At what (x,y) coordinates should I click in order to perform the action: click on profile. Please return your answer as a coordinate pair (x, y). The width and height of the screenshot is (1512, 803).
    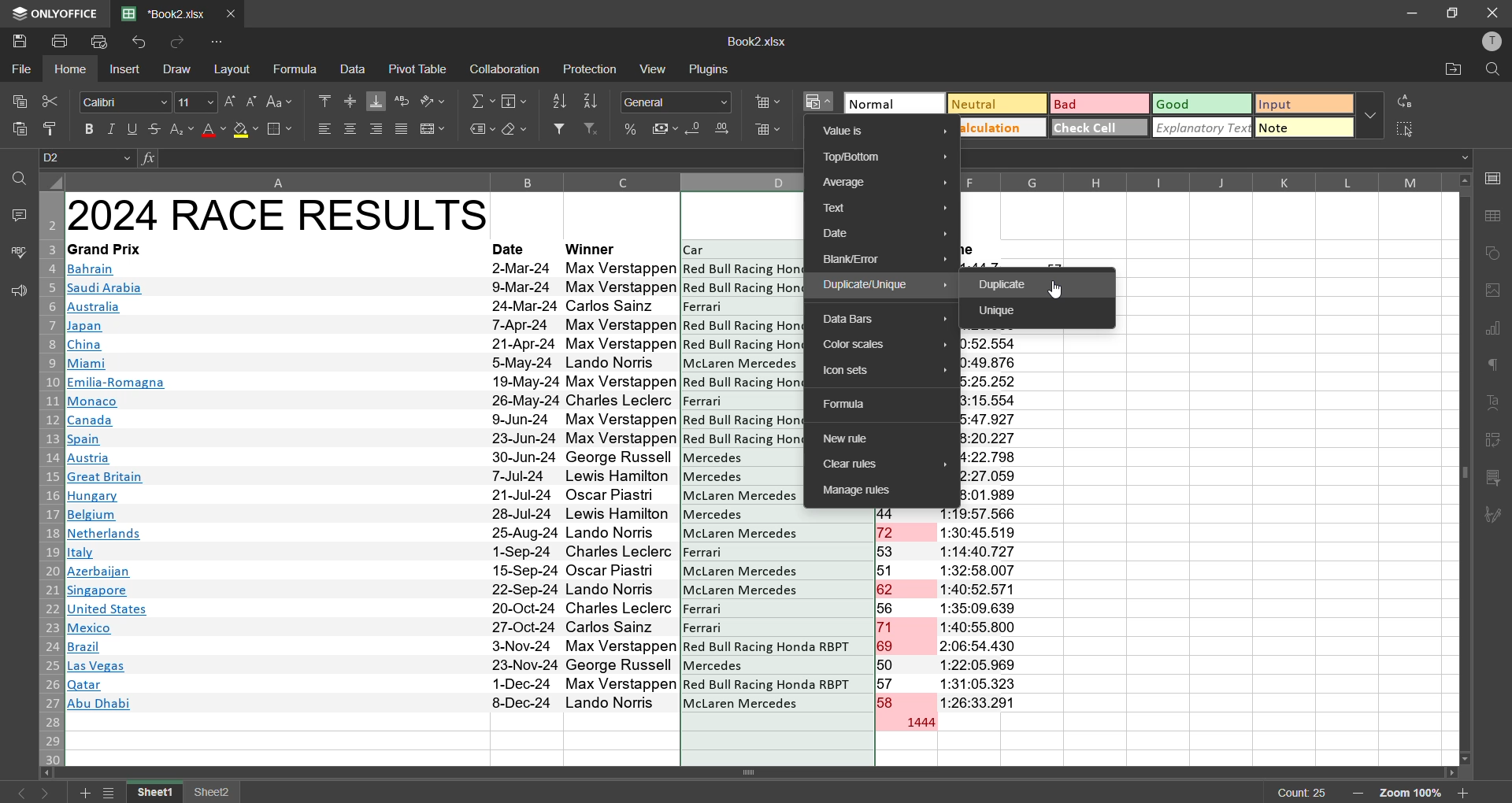
    Looking at the image, I should click on (1488, 41).